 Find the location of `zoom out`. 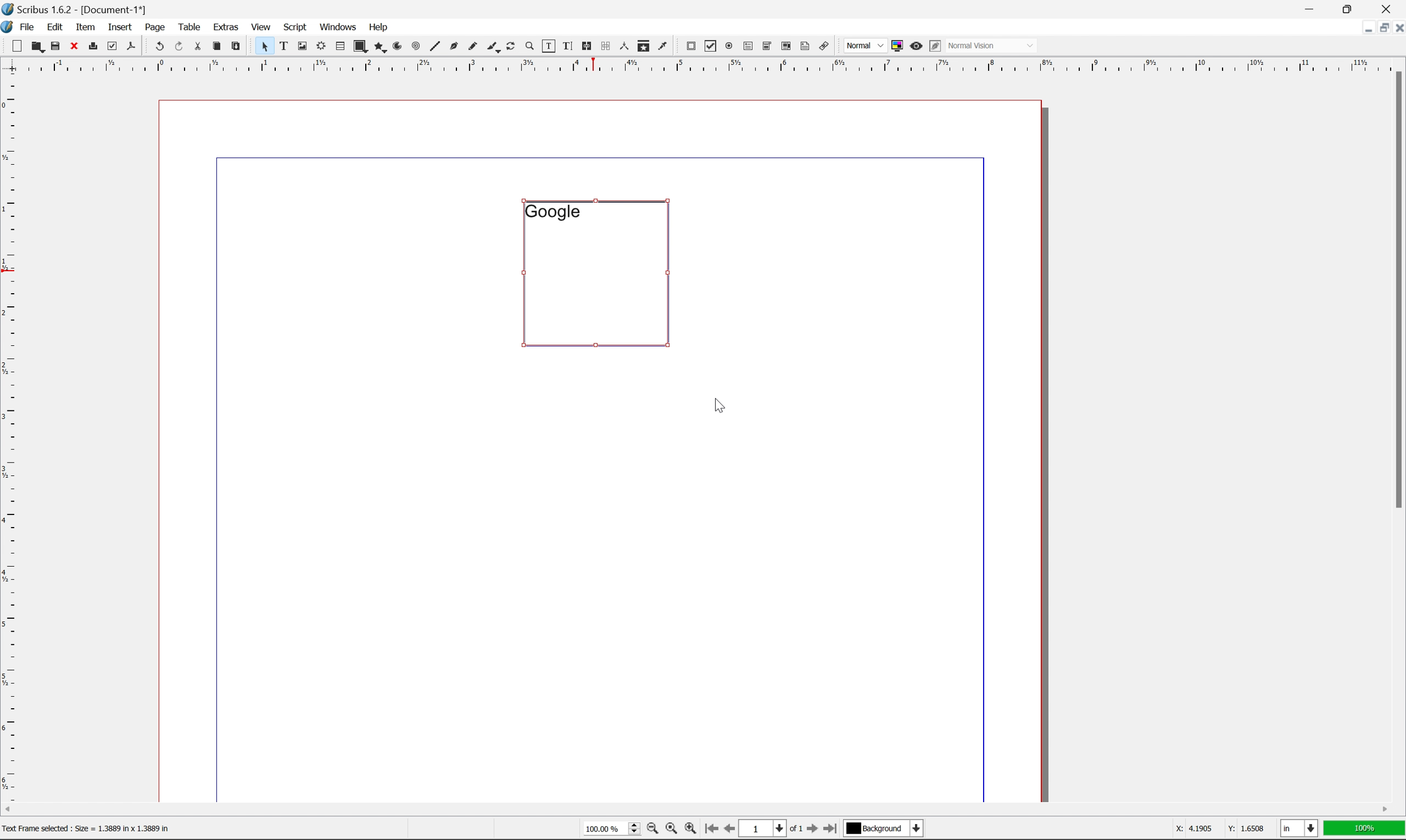

zoom out is located at coordinates (649, 830).